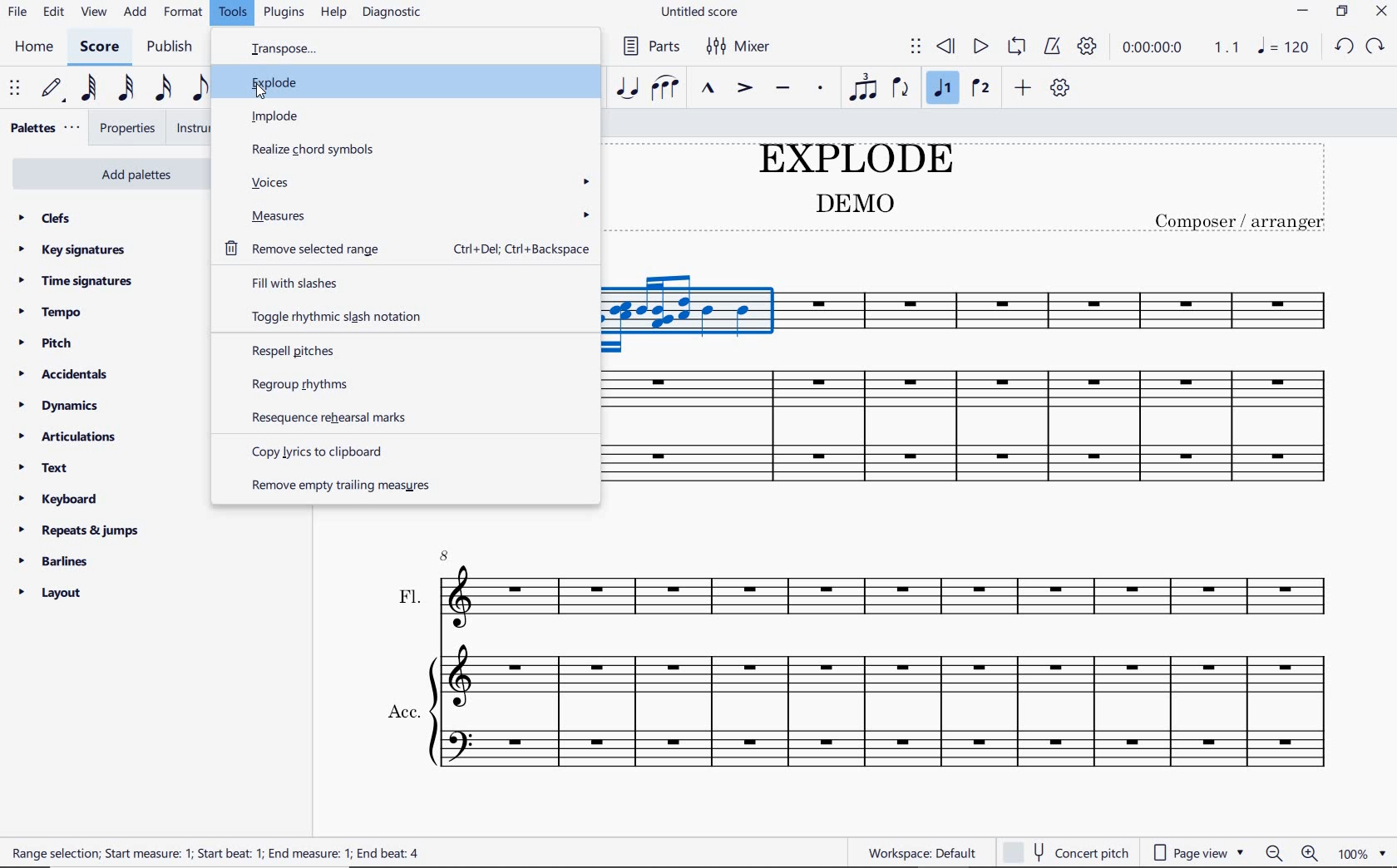 The image size is (1397, 868). Describe the element at coordinates (784, 91) in the screenshot. I see `tenuto` at that location.